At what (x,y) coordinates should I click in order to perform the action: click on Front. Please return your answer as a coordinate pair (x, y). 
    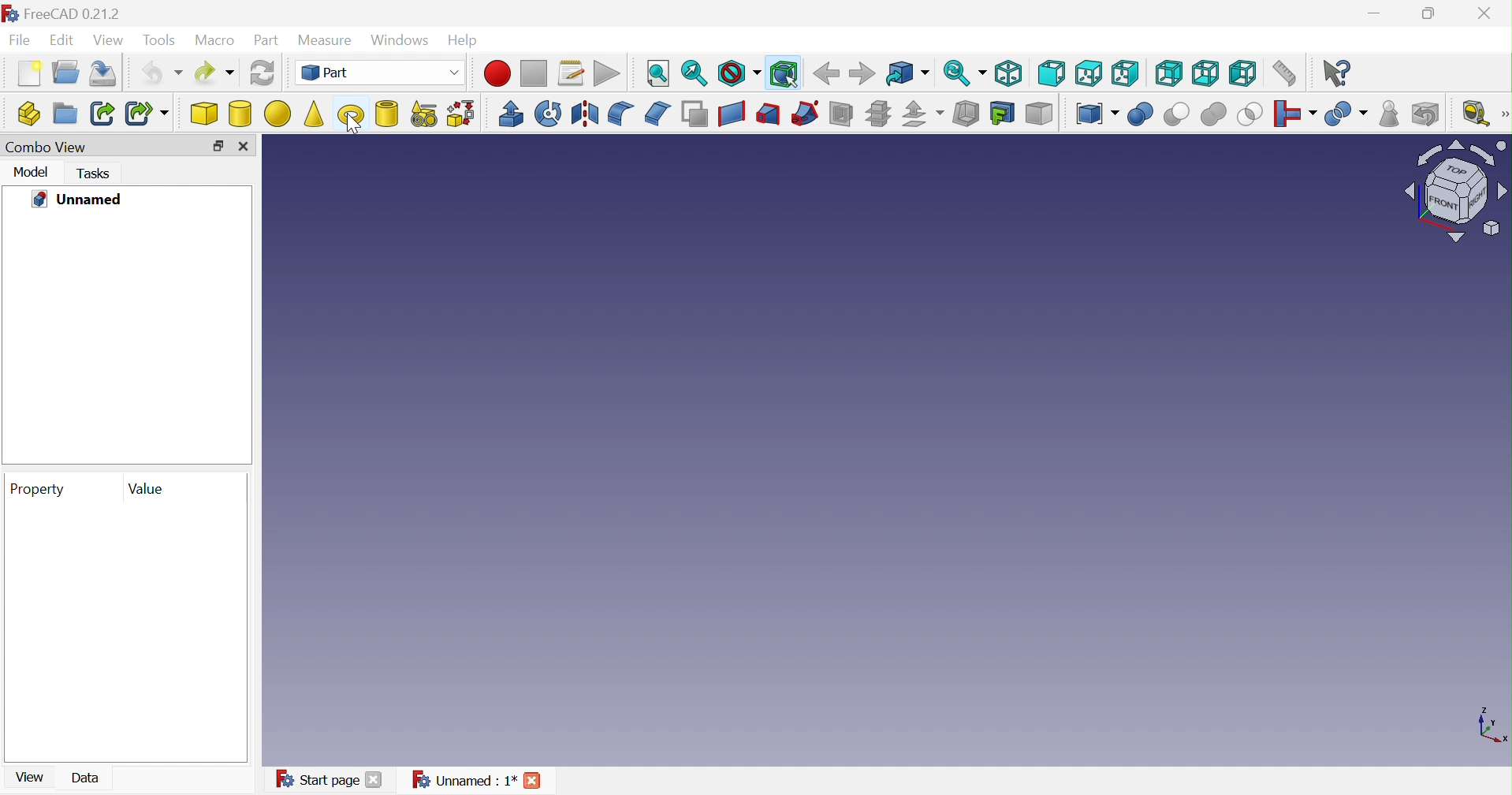
    Looking at the image, I should click on (1051, 73).